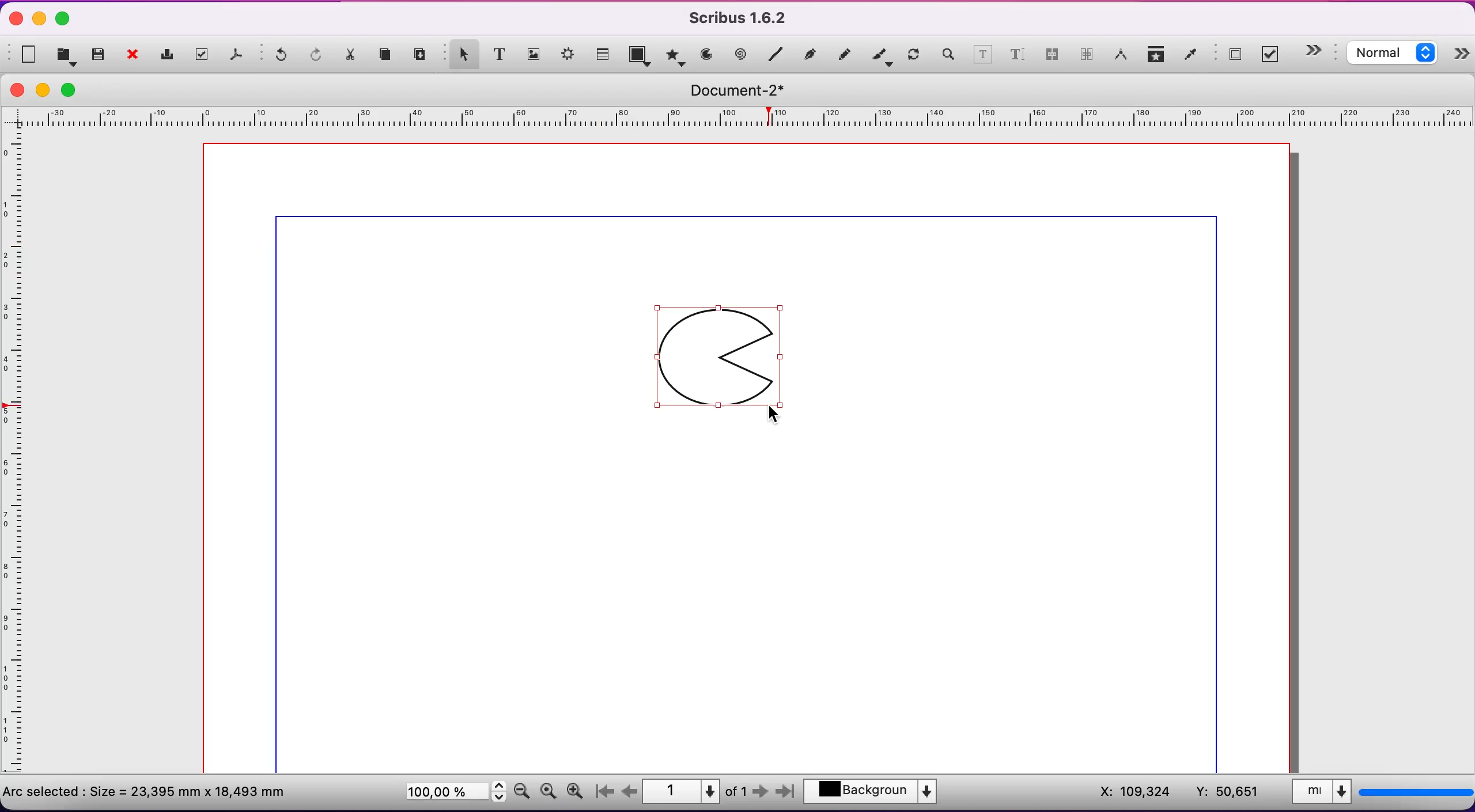 The width and height of the screenshot is (1475, 812). I want to click on arc selectes size, so click(154, 790).